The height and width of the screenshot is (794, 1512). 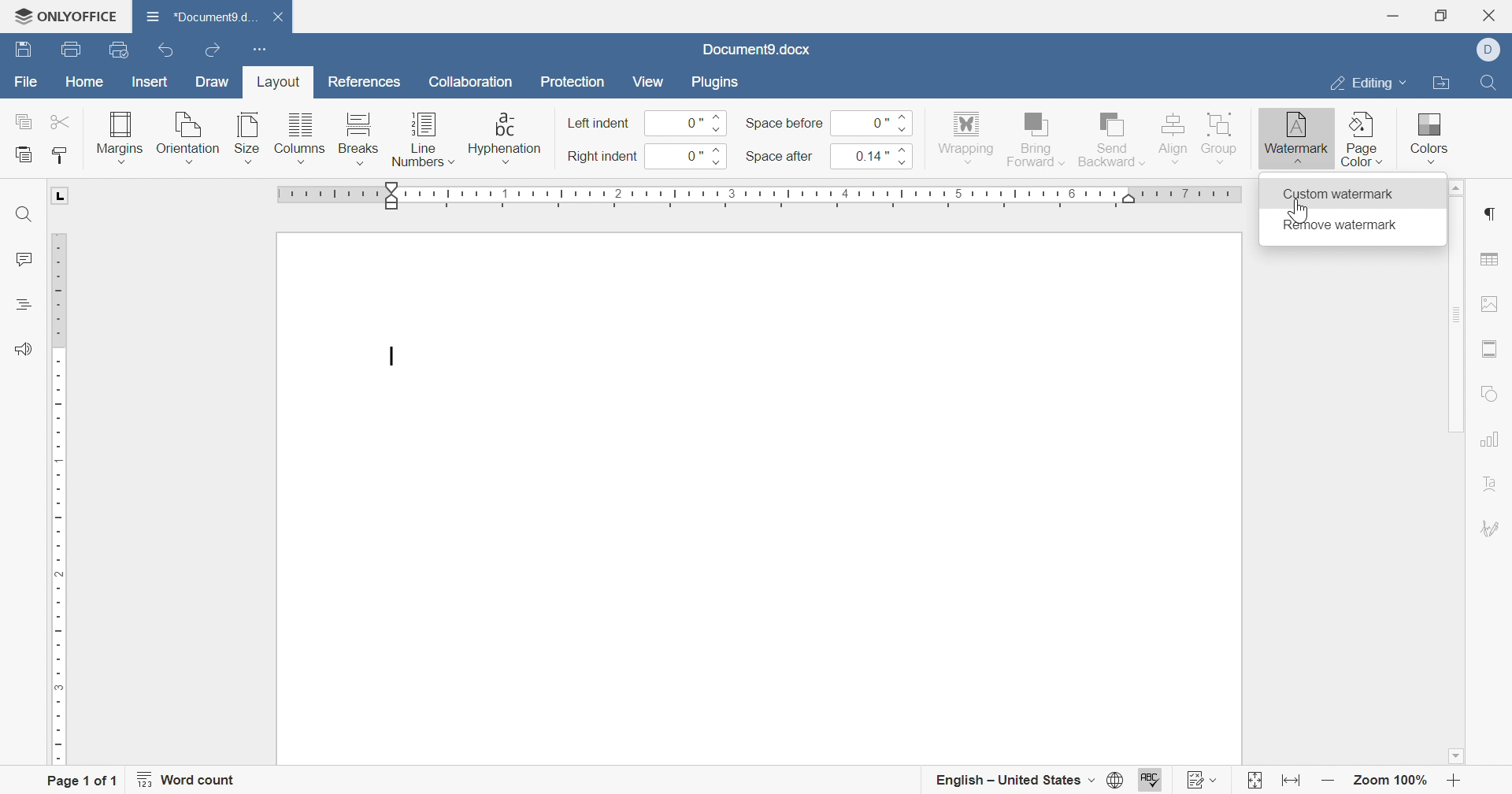 I want to click on 0, so click(x=869, y=122).